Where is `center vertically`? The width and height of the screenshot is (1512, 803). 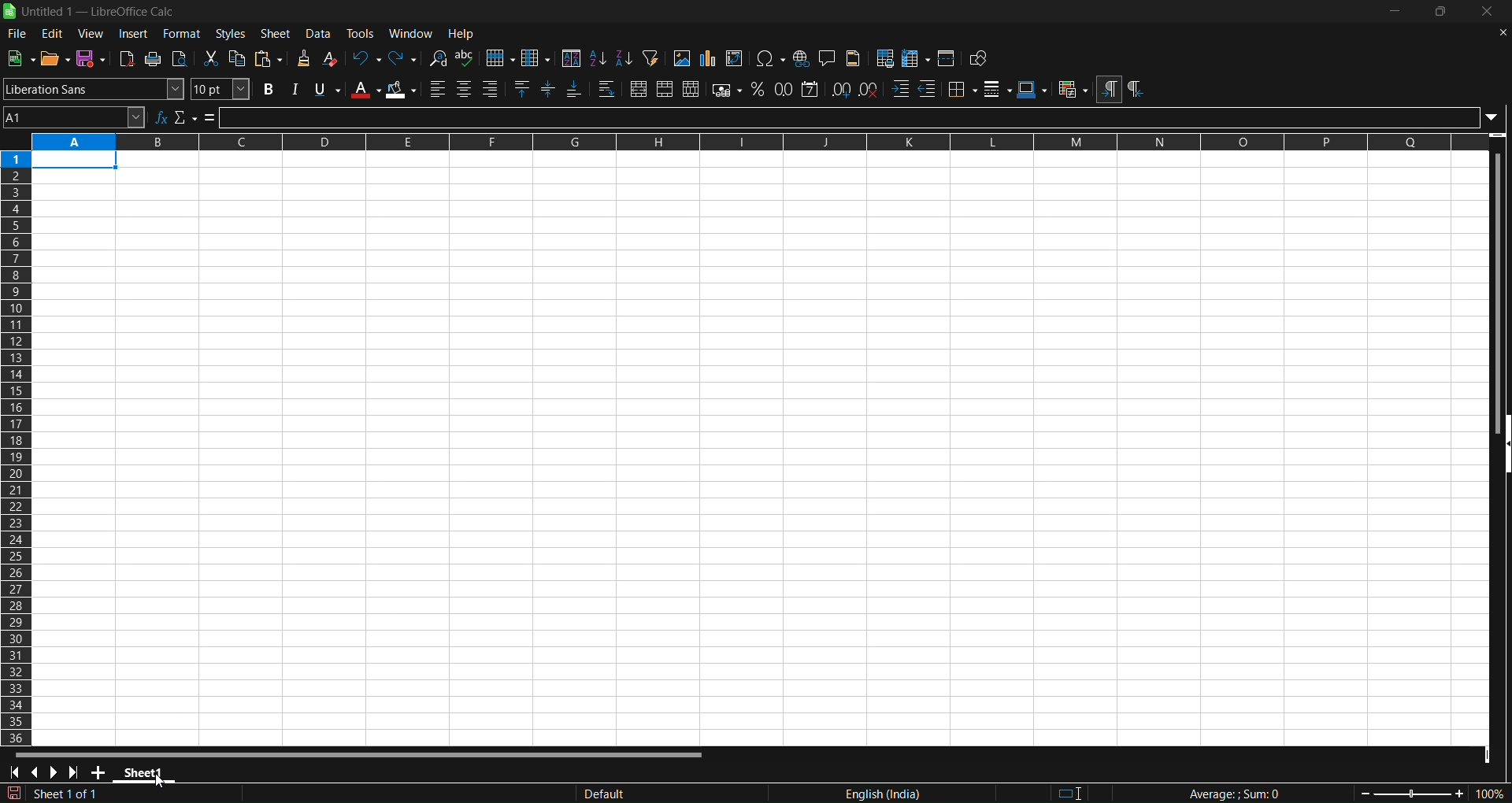 center vertically is located at coordinates (550, 90).